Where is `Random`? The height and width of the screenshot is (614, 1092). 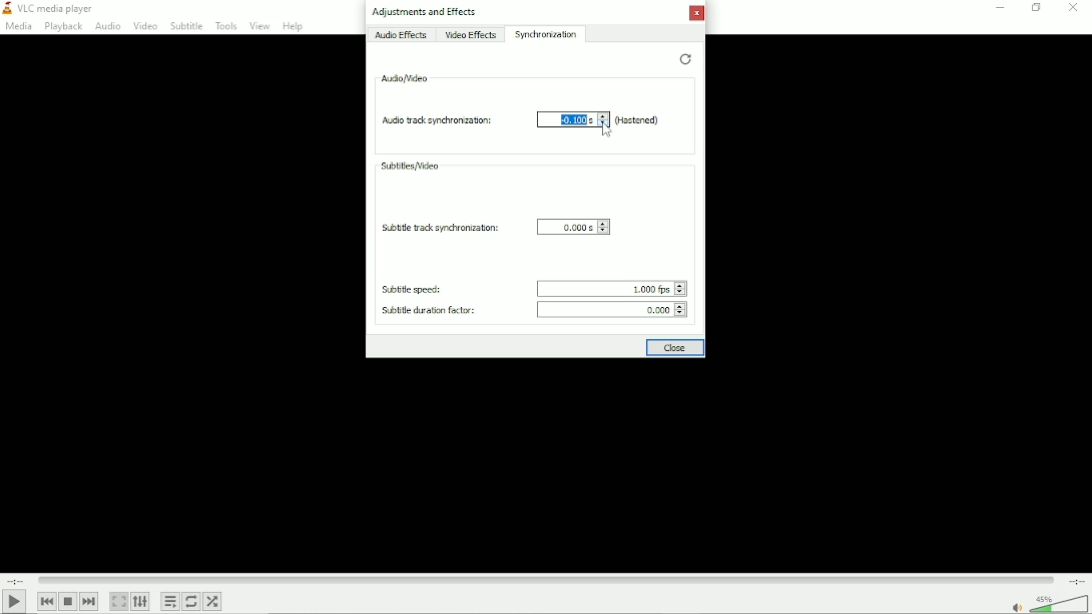 Random is located at coordinates (213, 602).